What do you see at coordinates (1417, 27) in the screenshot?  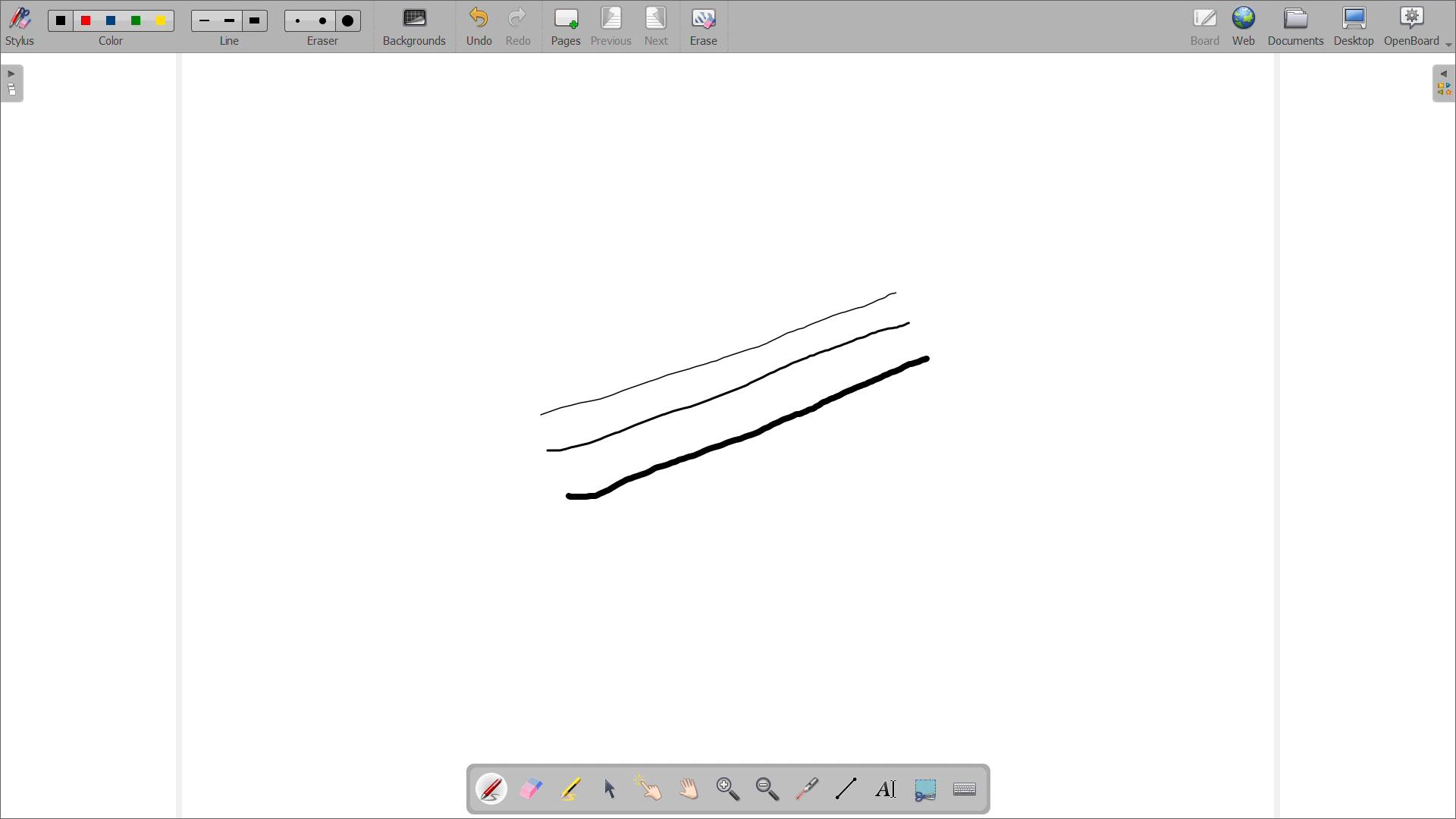 I see `openboard settings` at bounding box center [1417, 27].